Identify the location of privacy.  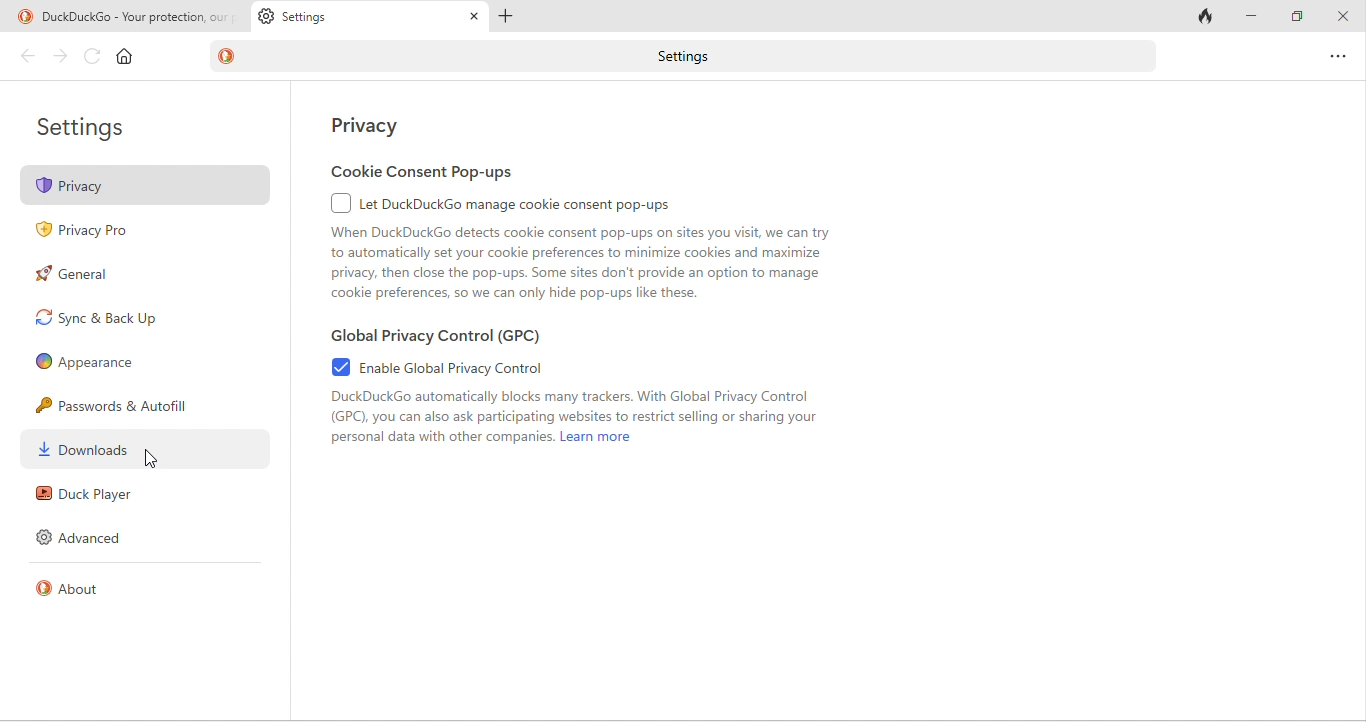
(148, 184).